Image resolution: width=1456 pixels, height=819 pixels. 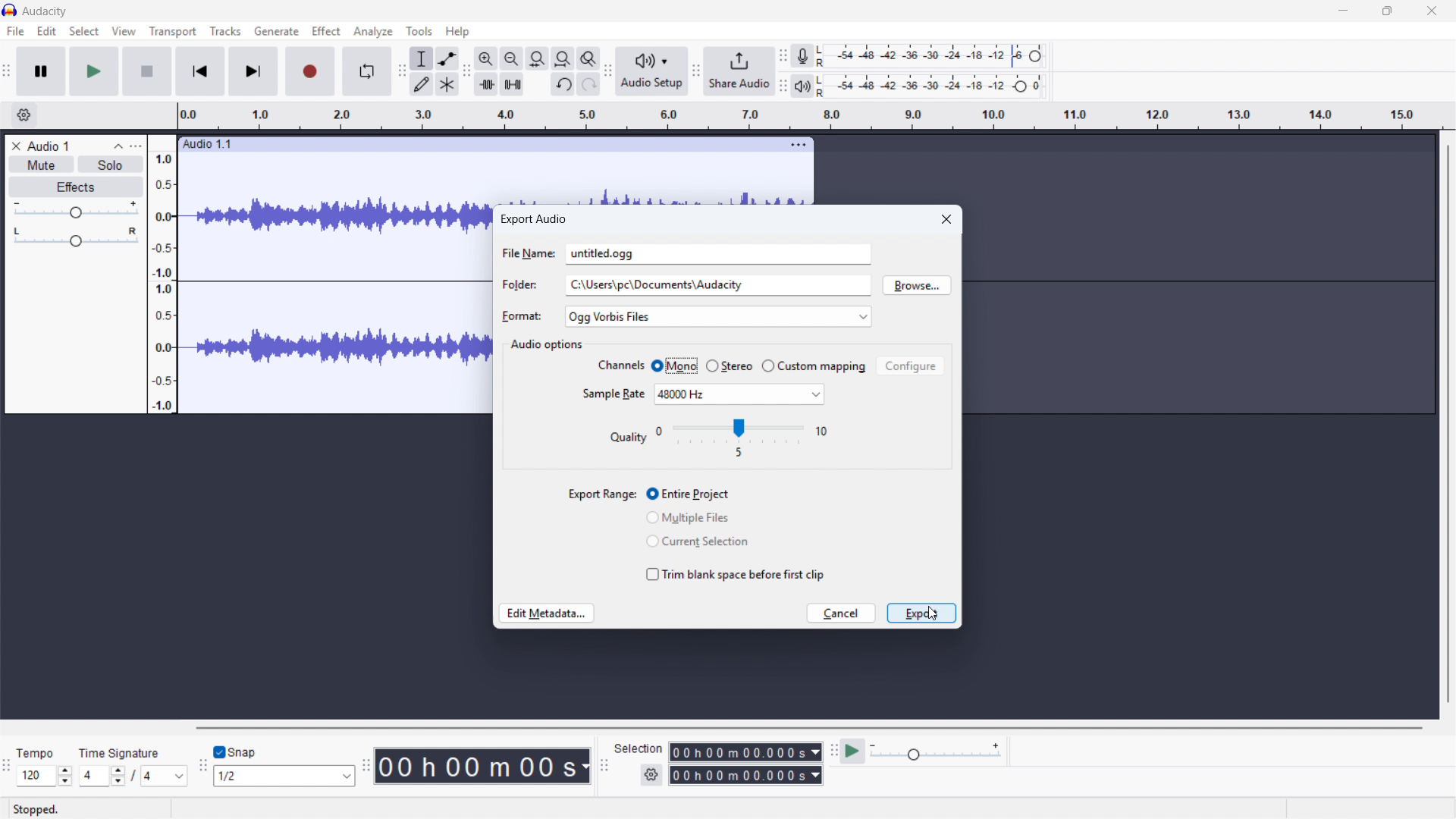 I want to click on Timestamp , so click(x=484, y=767).